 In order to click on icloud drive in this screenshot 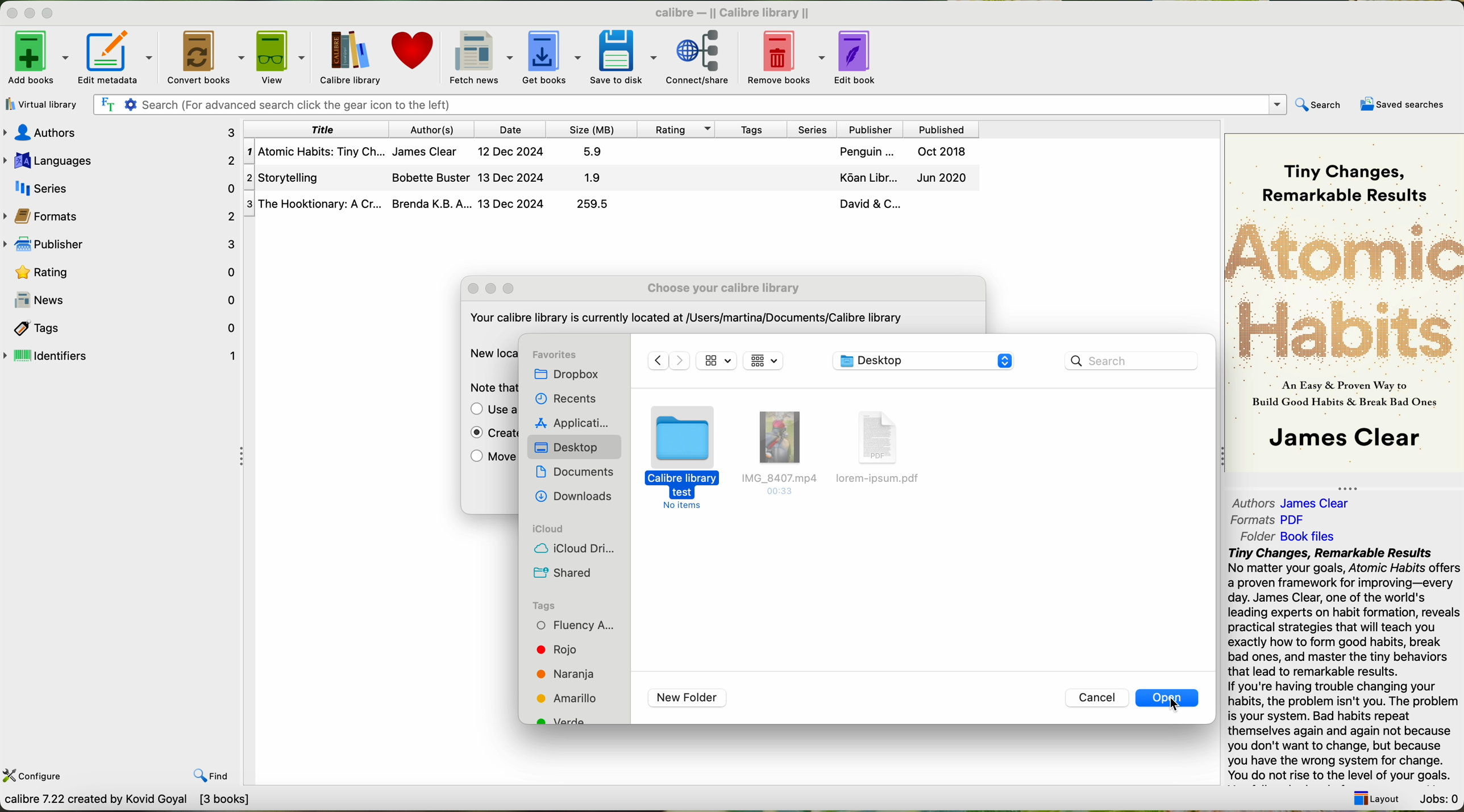, I will do `click(575, 549)`.